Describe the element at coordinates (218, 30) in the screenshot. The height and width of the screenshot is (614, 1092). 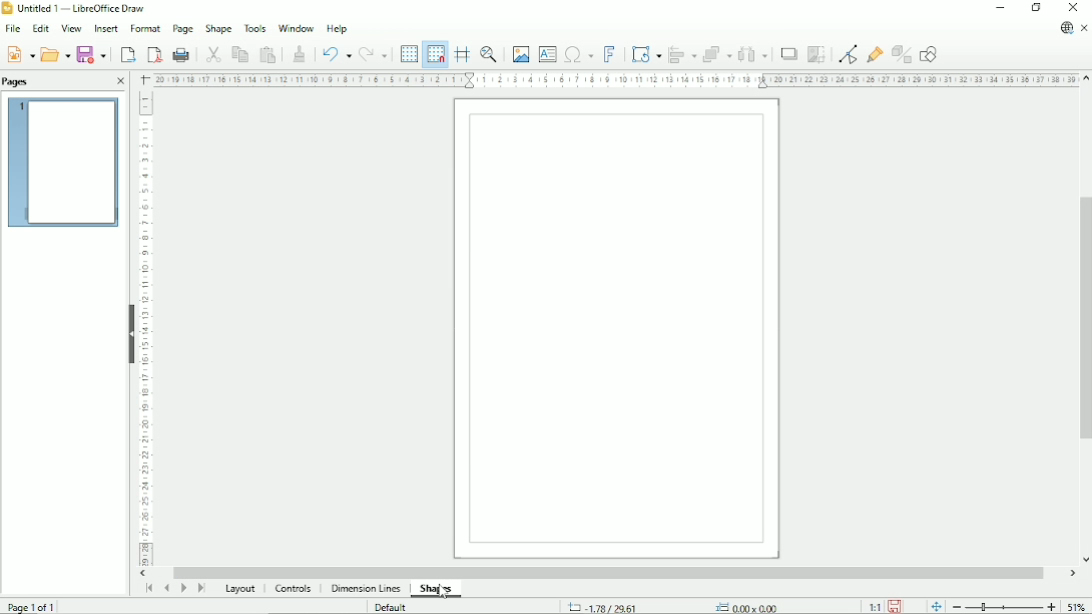
I see `Shape` at that location.